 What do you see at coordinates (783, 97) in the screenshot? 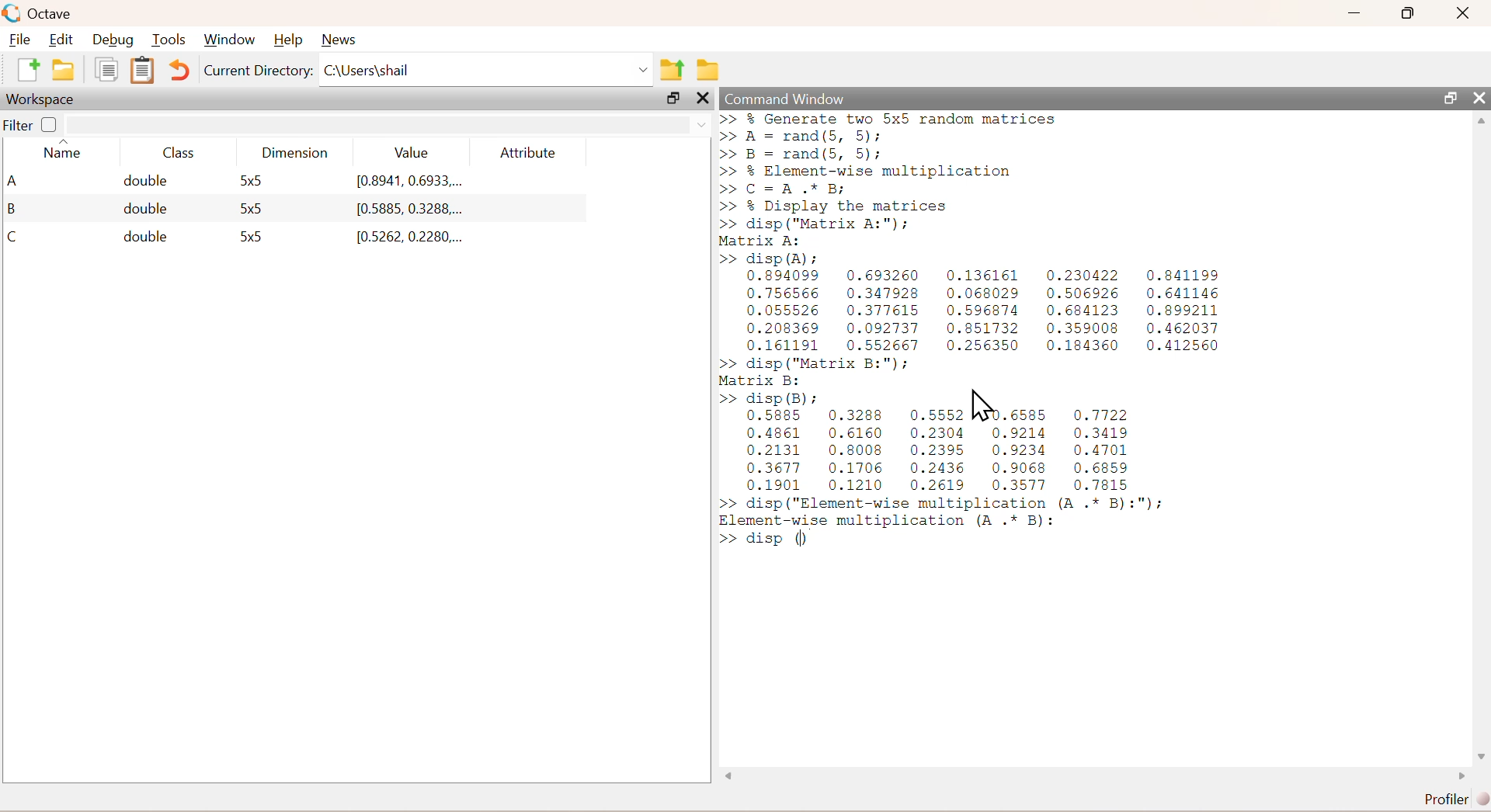
I see `Command Window` at bounding box center [783, 97].